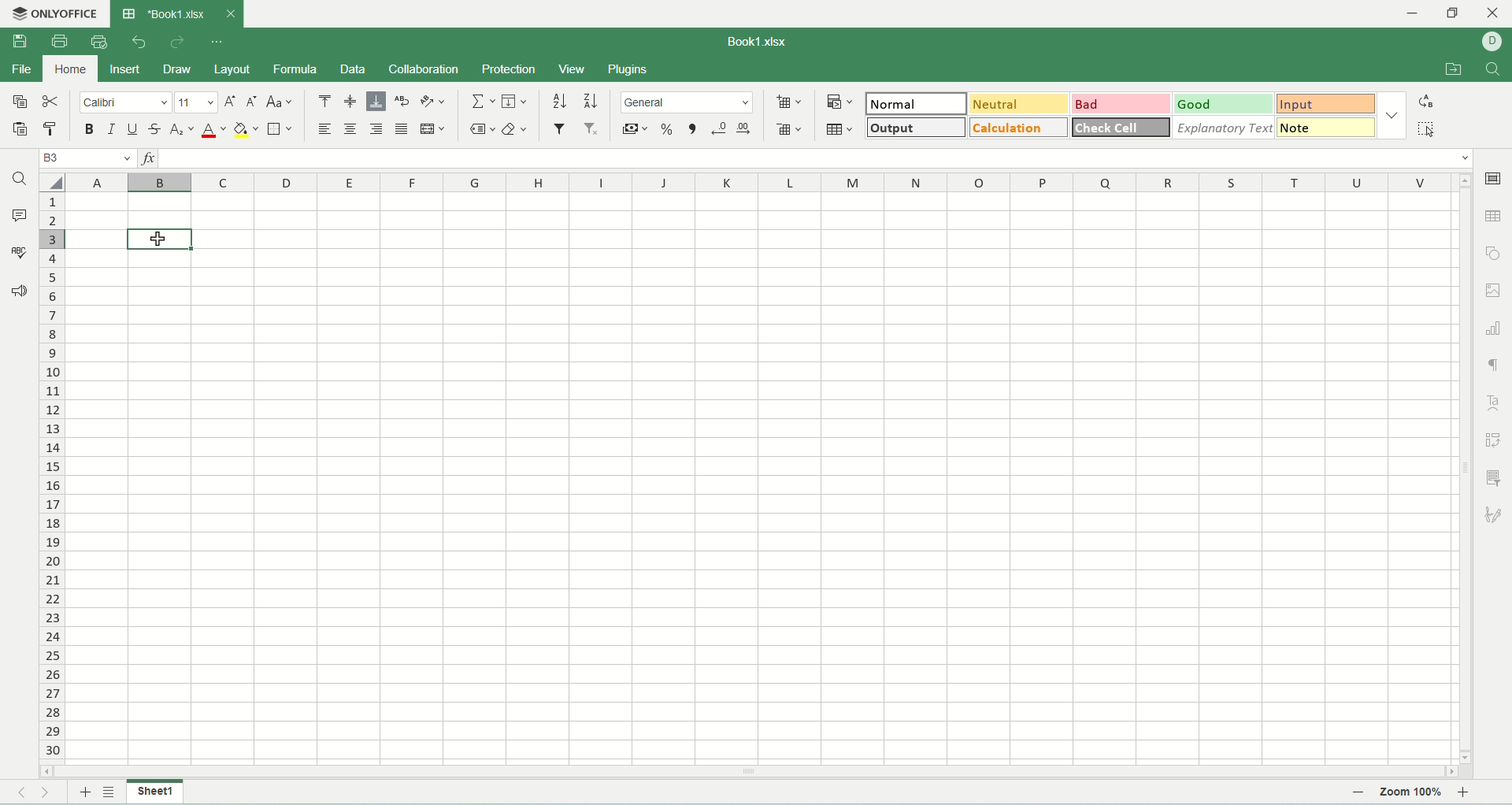 This screenshot has height=805, width=1512. What do you see at coordinates (1454, 17) in the screenshot?
I see `maximize` at bounding box center [1454, 17].